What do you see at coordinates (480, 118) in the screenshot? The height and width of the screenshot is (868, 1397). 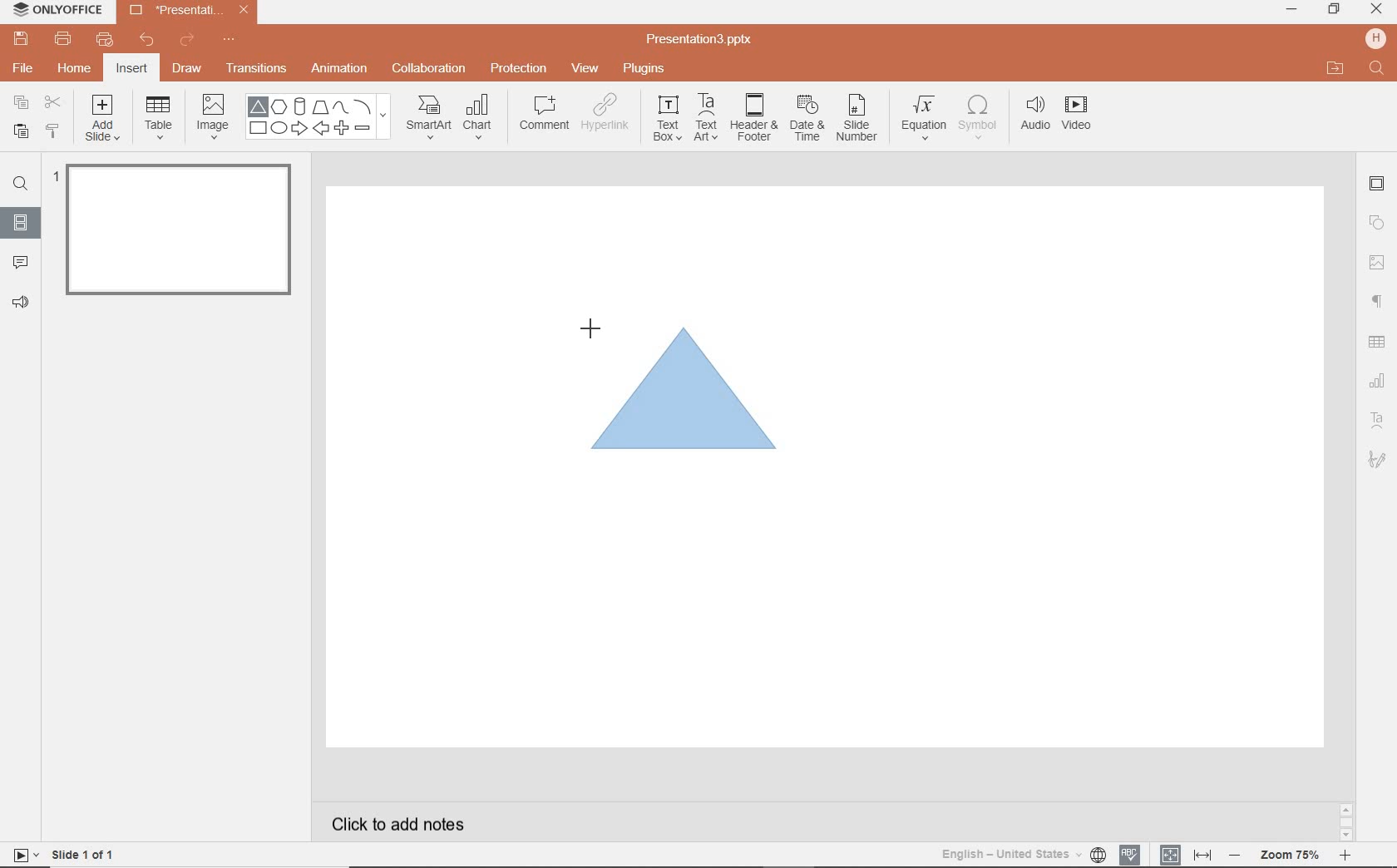 I see `CHART` at bounding box center [480, 118].